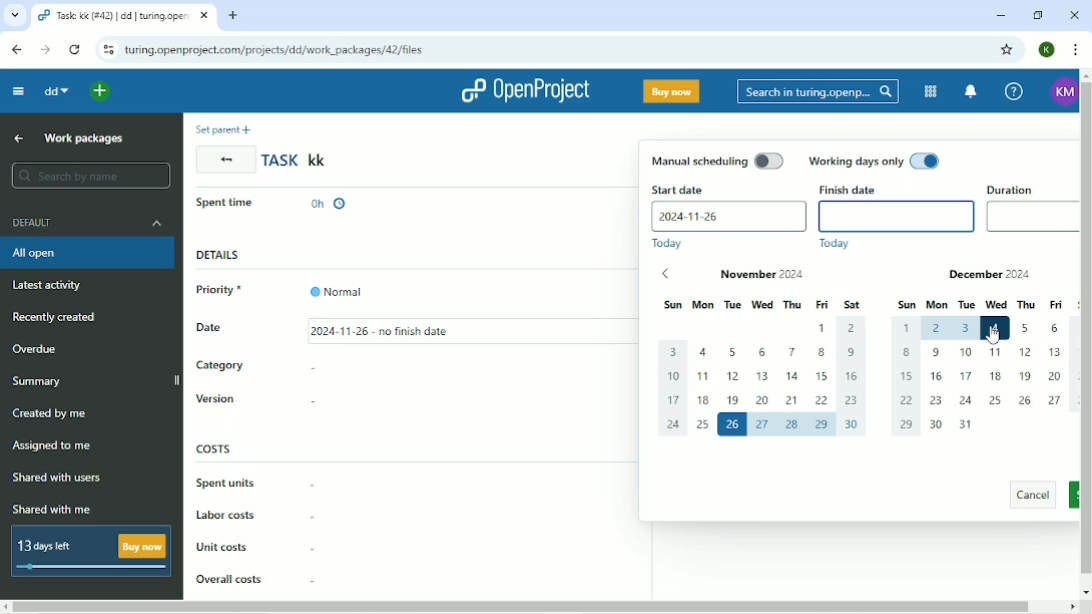 Image resolution: width=1092 pixels, height=614 pixels. Describe the element at coordinates (103, 92) in the screenshot. I see `Open quick add menu` at that location.